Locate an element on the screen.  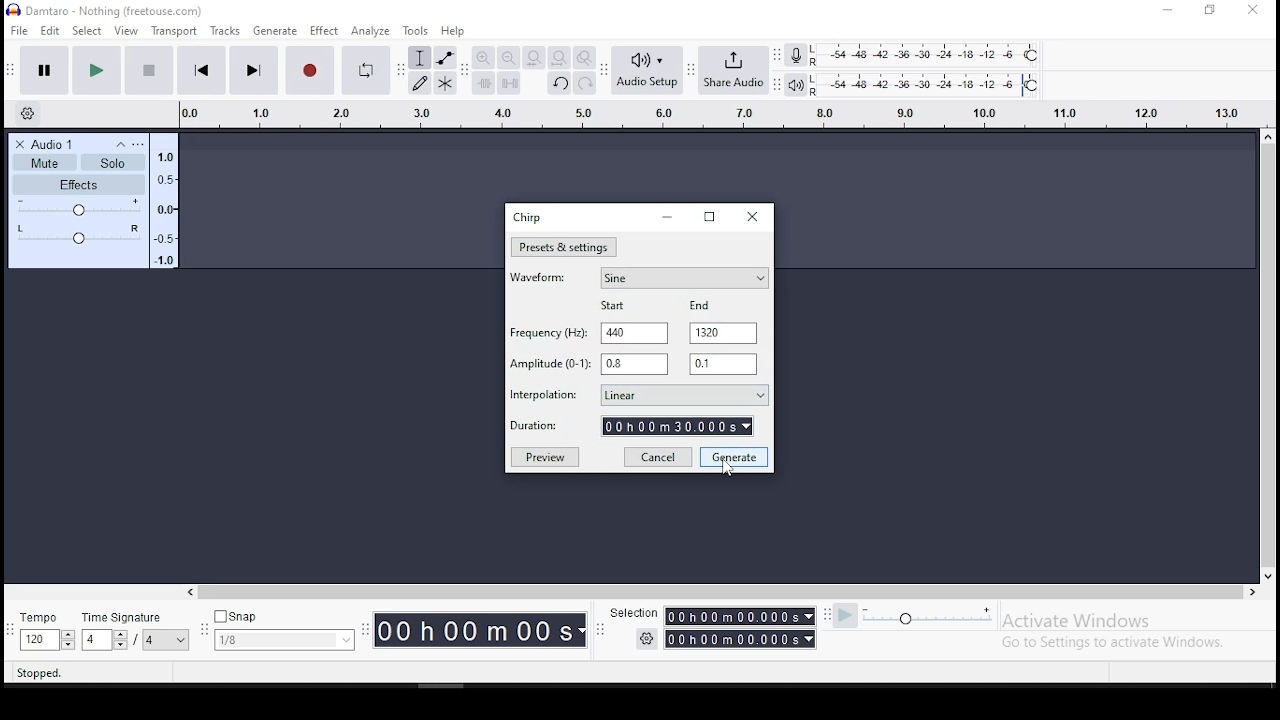
record meter is located at coordinates (797, 56).